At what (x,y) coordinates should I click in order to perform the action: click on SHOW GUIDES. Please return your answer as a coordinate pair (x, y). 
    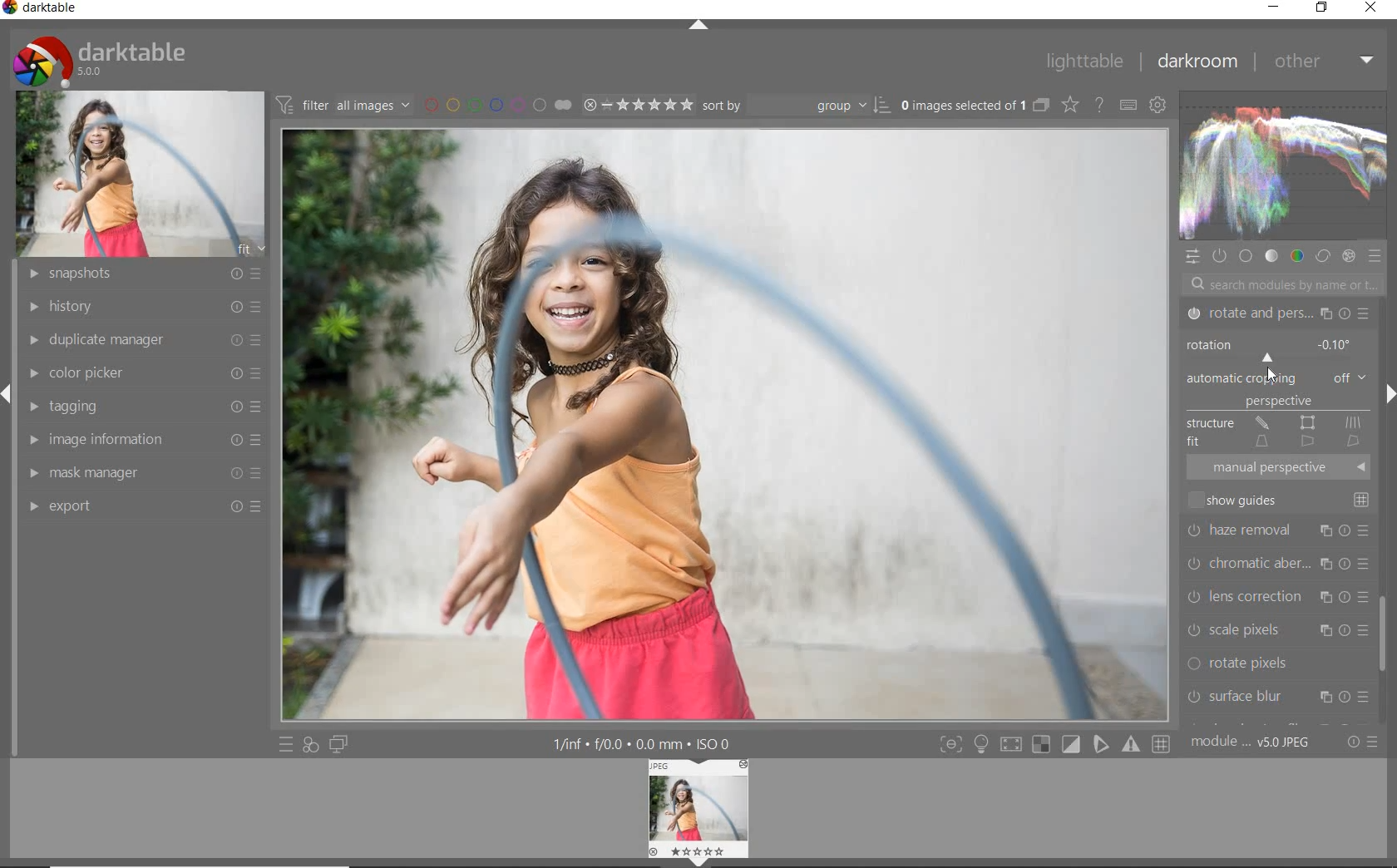
    Looking at the image, I should click on (1282, 500).